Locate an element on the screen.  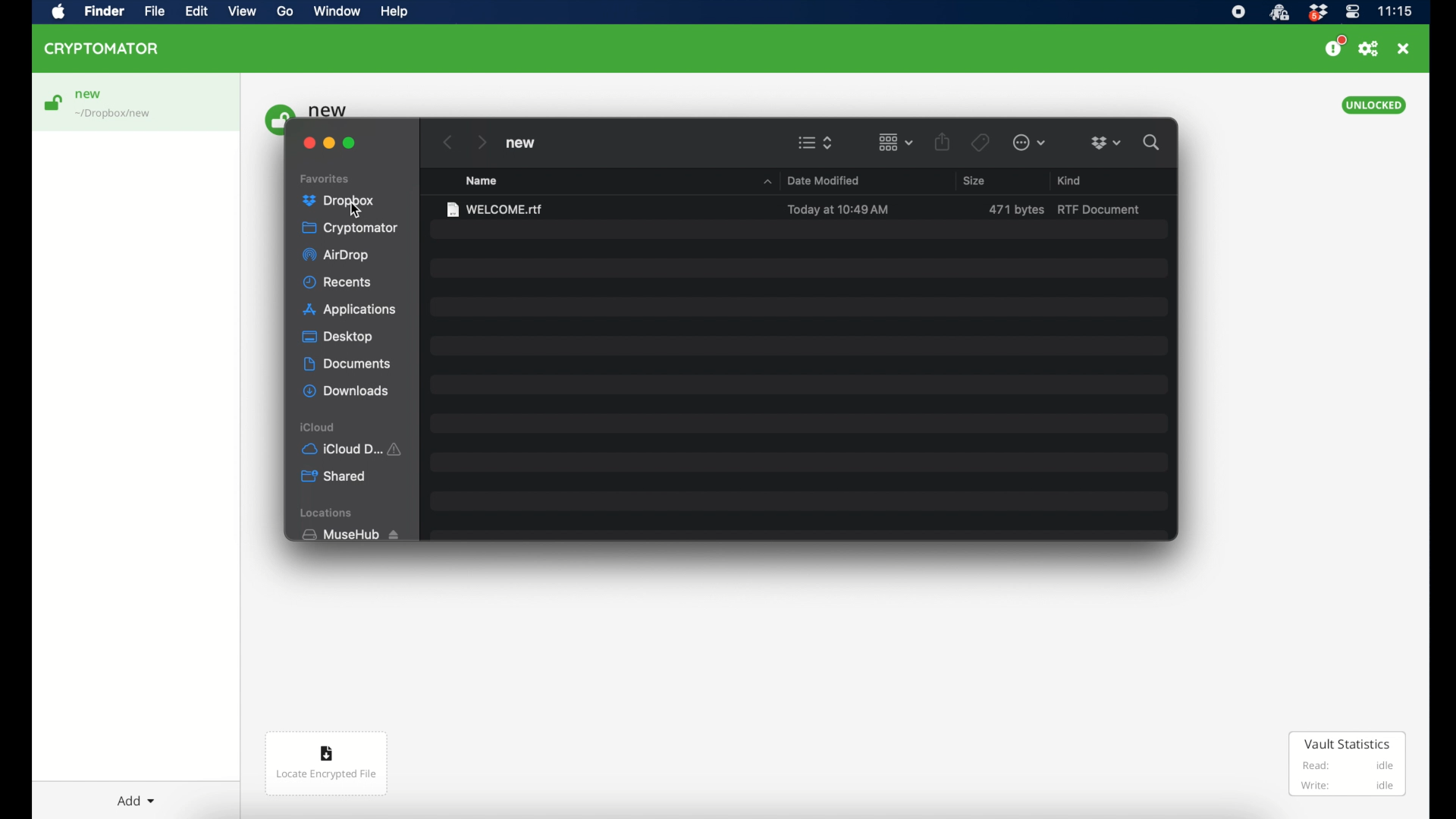
muse hub is located at coordinates (350, 535).